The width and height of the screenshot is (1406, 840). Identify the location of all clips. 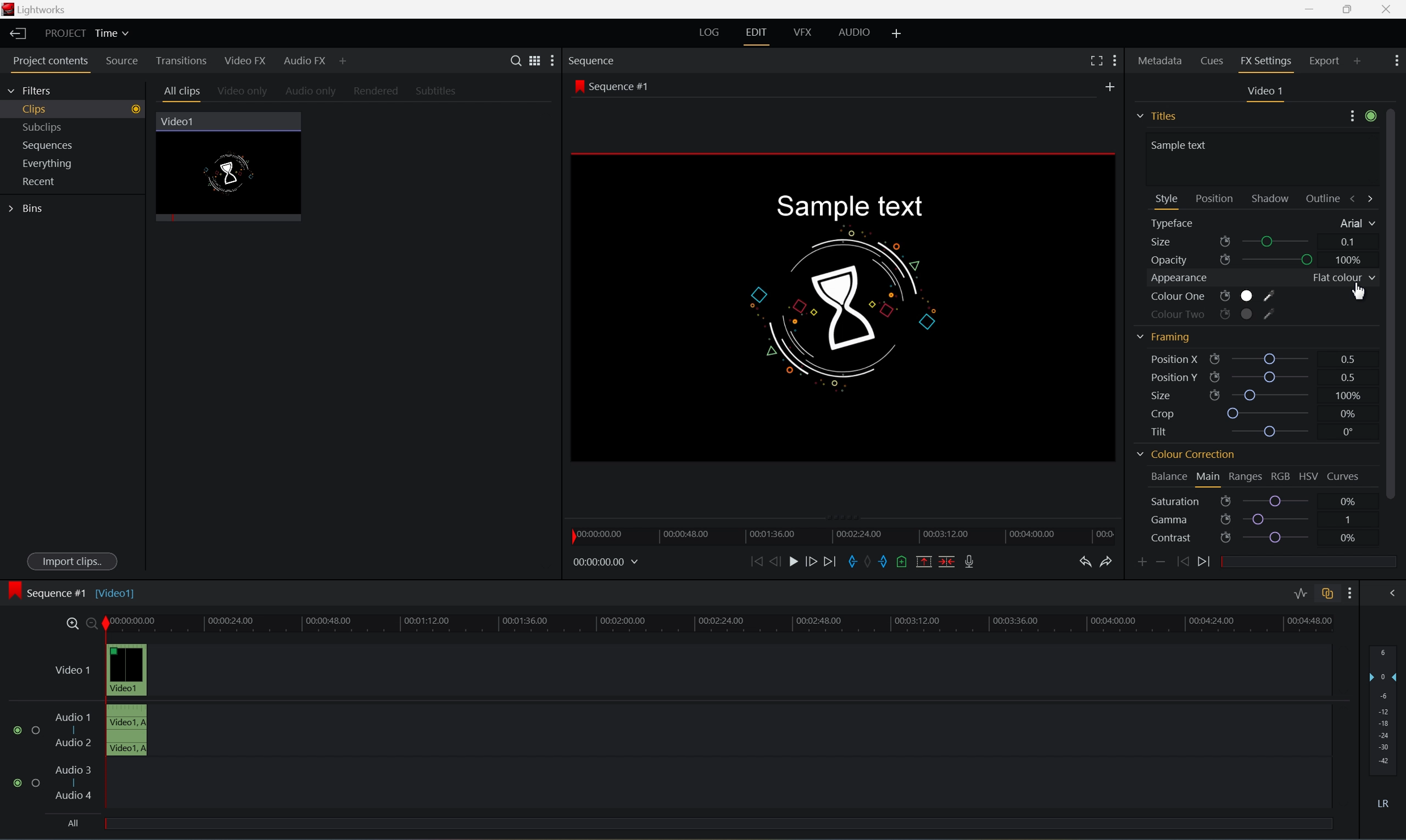
(183, 93).